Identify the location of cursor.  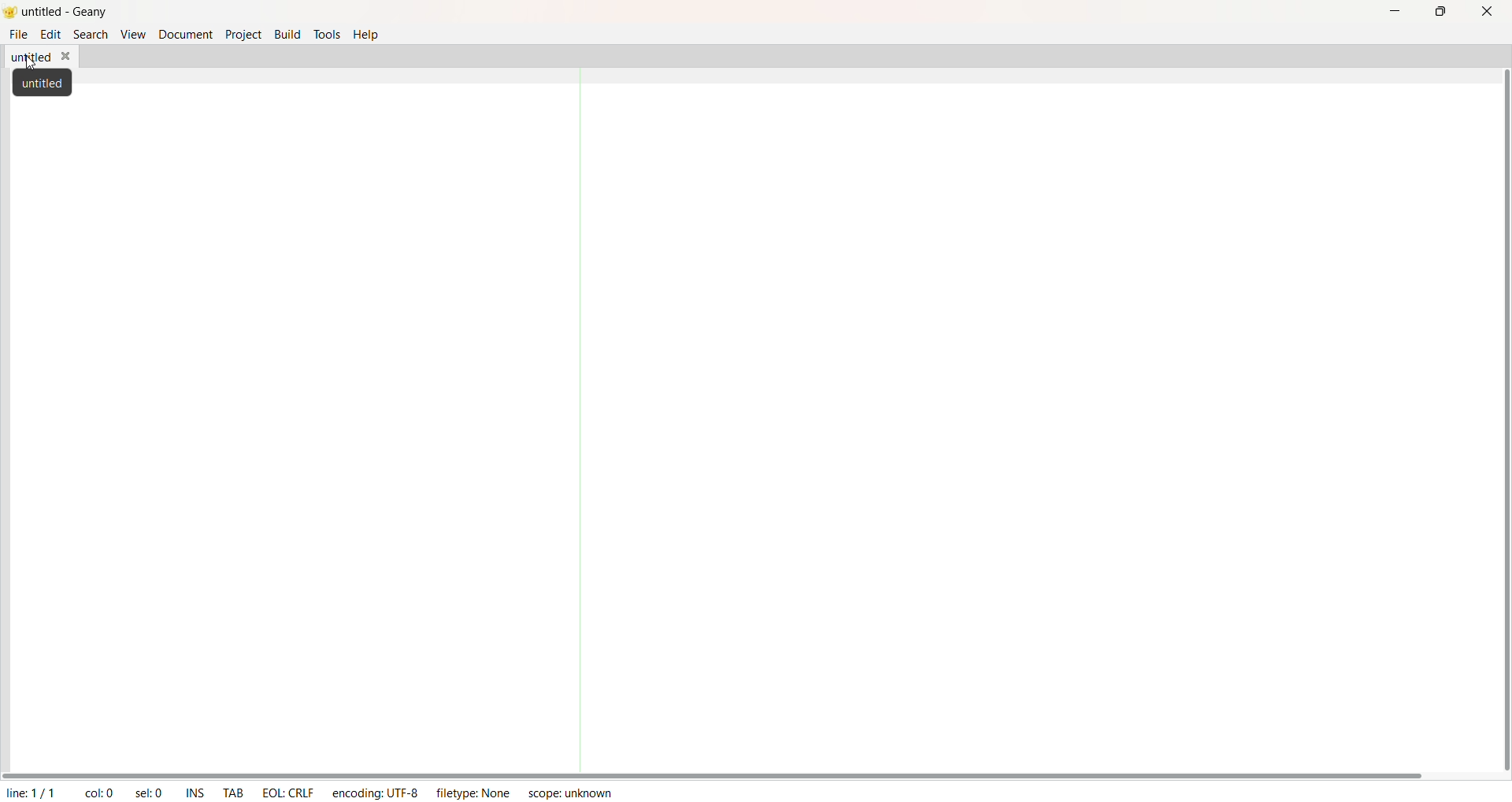
(34, 63).